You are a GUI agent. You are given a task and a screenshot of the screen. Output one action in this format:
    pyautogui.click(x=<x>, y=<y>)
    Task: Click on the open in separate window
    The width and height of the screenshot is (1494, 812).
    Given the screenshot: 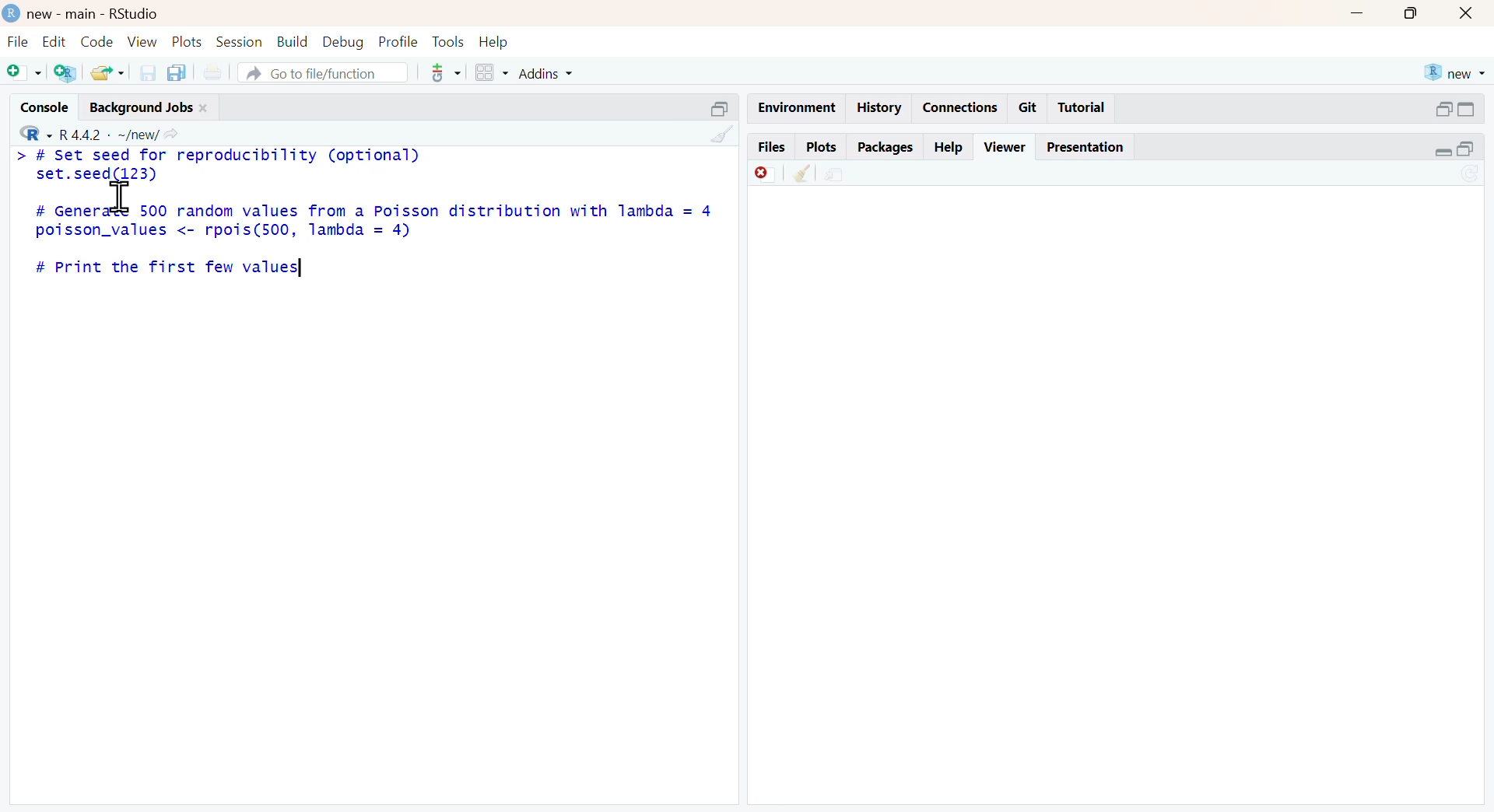 What is the action you would take?
    pyautogui.click(x=1444, y=110)
    